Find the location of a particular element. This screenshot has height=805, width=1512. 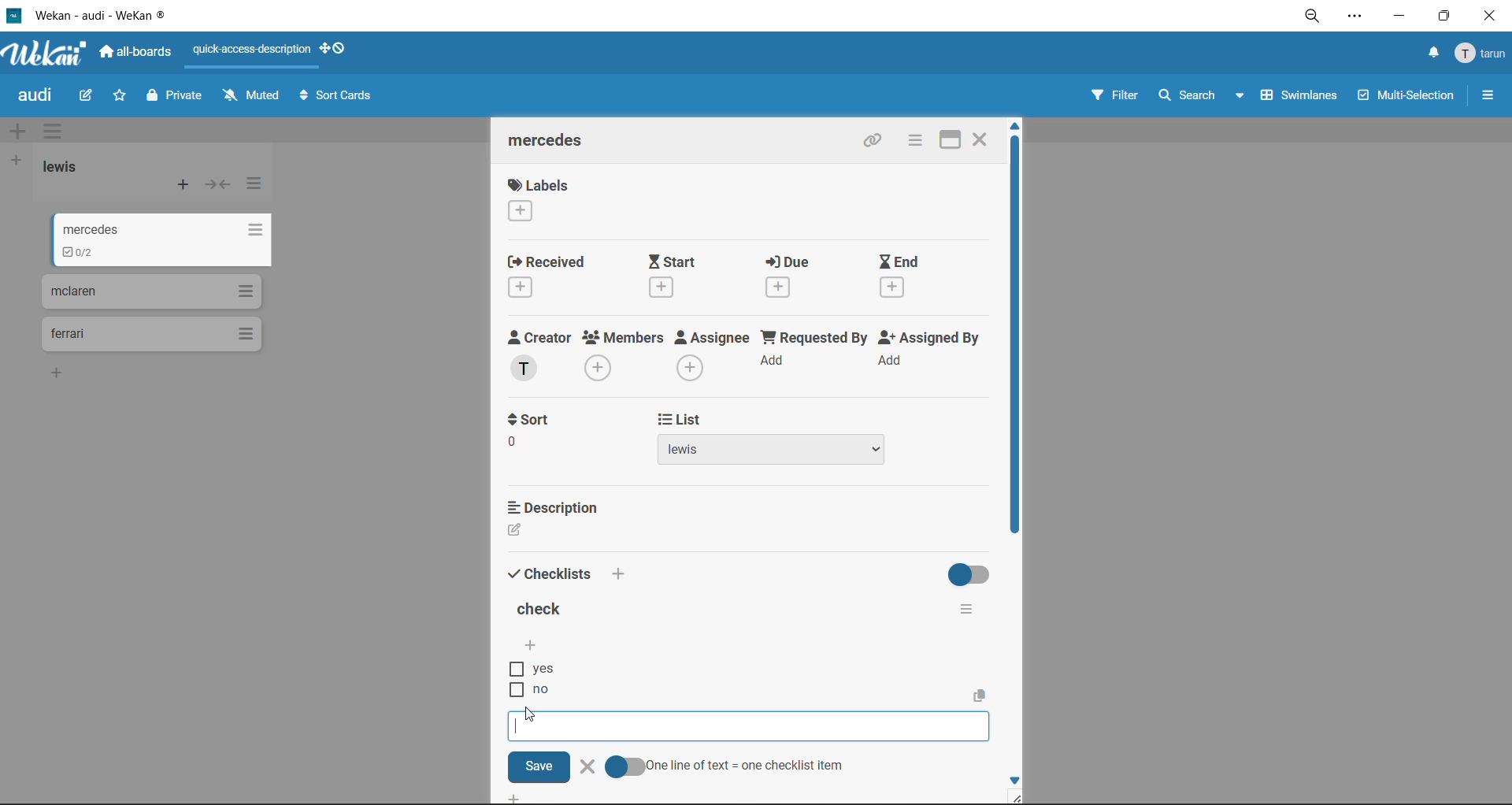

Add is located at coordinates (621, 572).